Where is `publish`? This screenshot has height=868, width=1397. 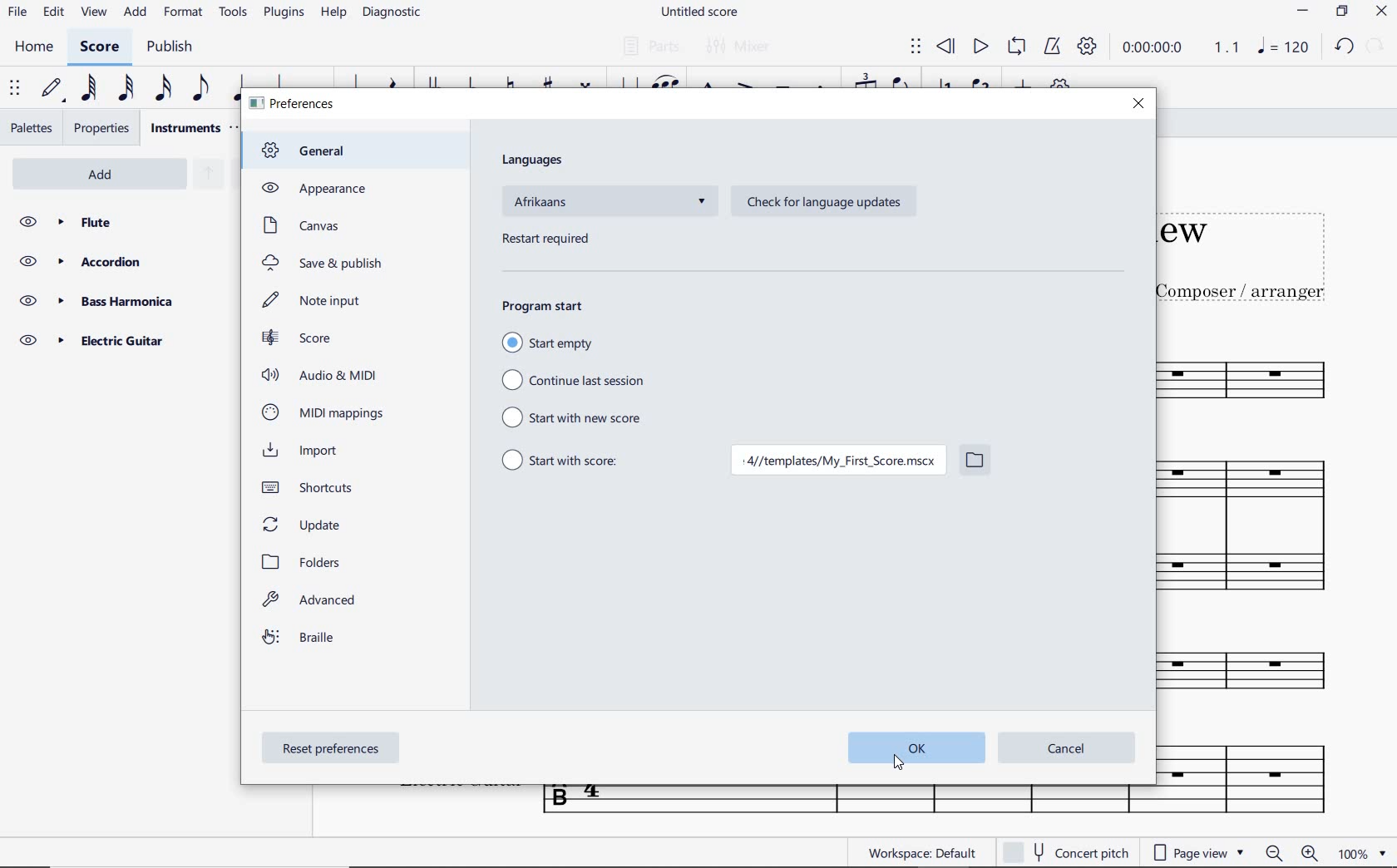 publish is located at coordinates (173, 48).